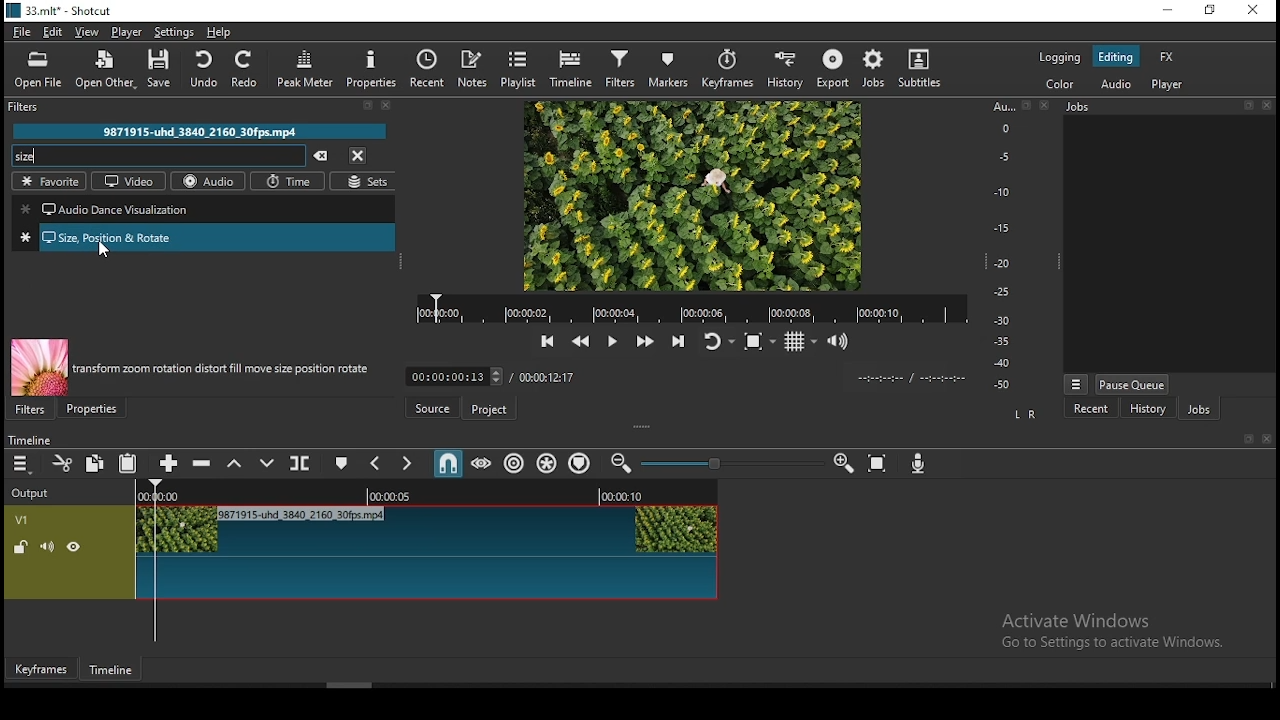 The image size is (1280, 720). What do you see at coordinates (450, 465) in the screenshot?
I see `snap` at bounding box center [450, 465].